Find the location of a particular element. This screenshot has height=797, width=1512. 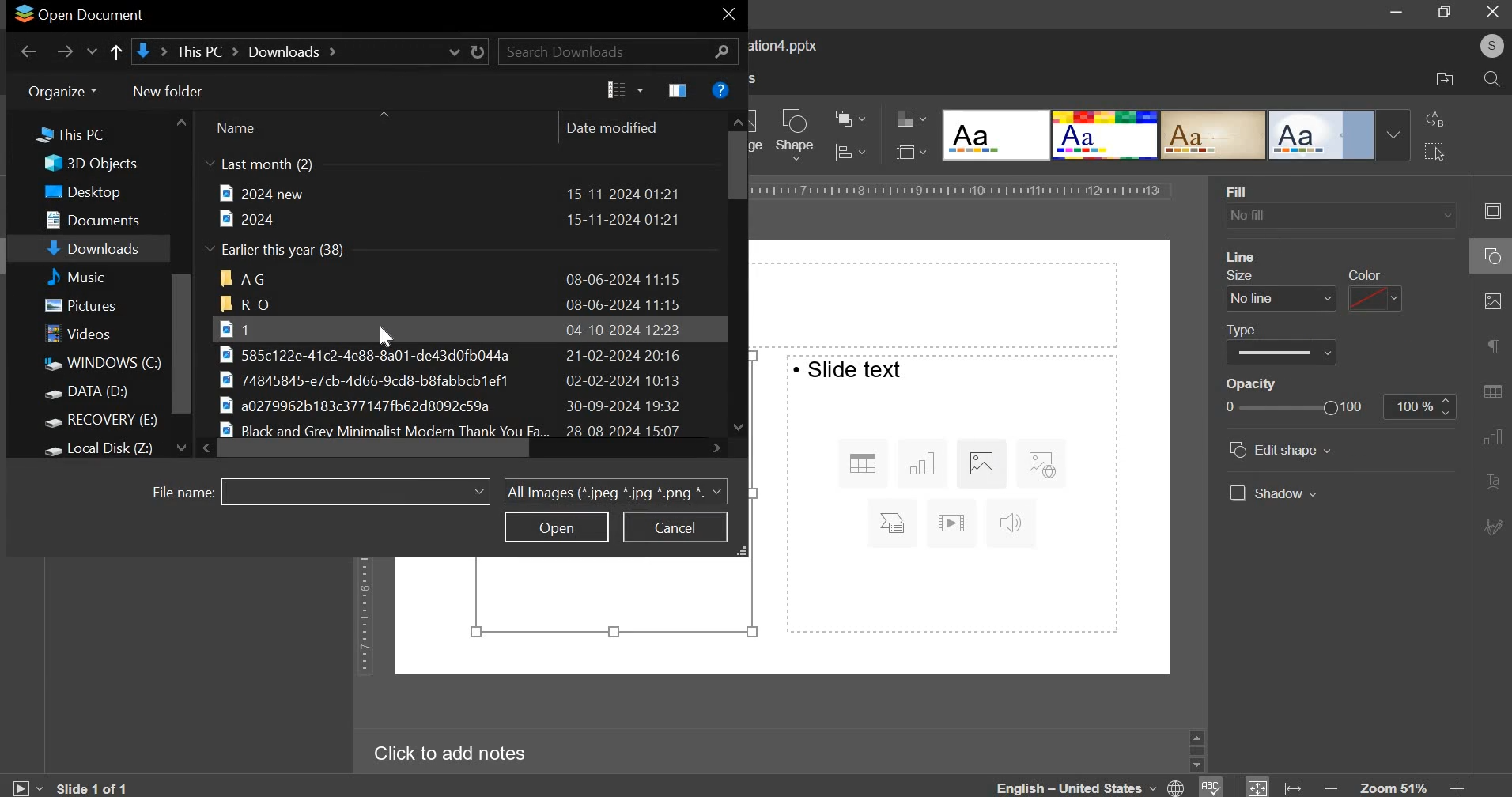

align shape is located at coordinates (863, 153).